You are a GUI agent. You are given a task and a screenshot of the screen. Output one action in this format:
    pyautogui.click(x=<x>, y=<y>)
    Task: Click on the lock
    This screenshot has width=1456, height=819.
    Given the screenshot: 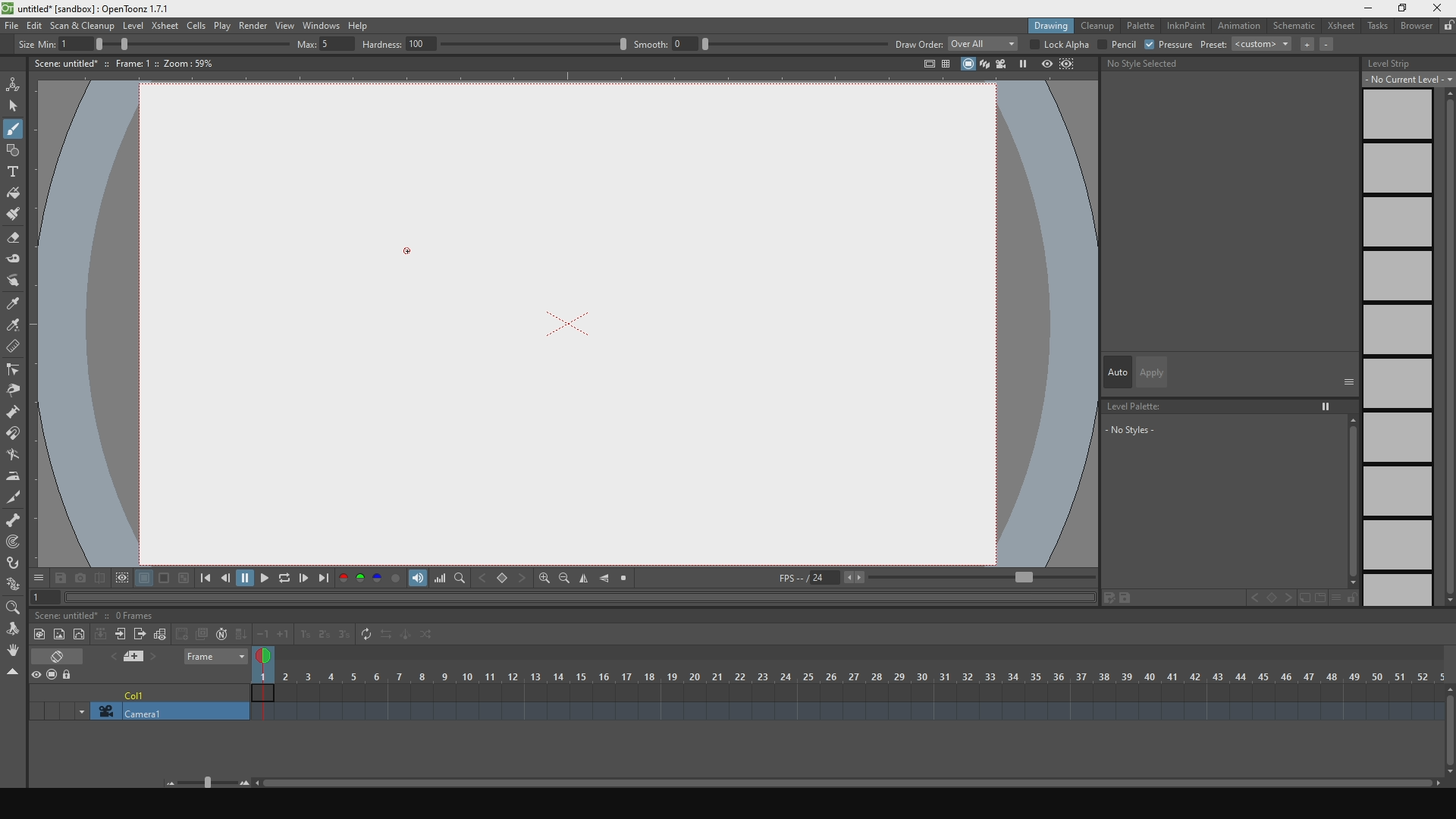 What is the action you would take?
    pyautogui.click(x=74, y=673)
    